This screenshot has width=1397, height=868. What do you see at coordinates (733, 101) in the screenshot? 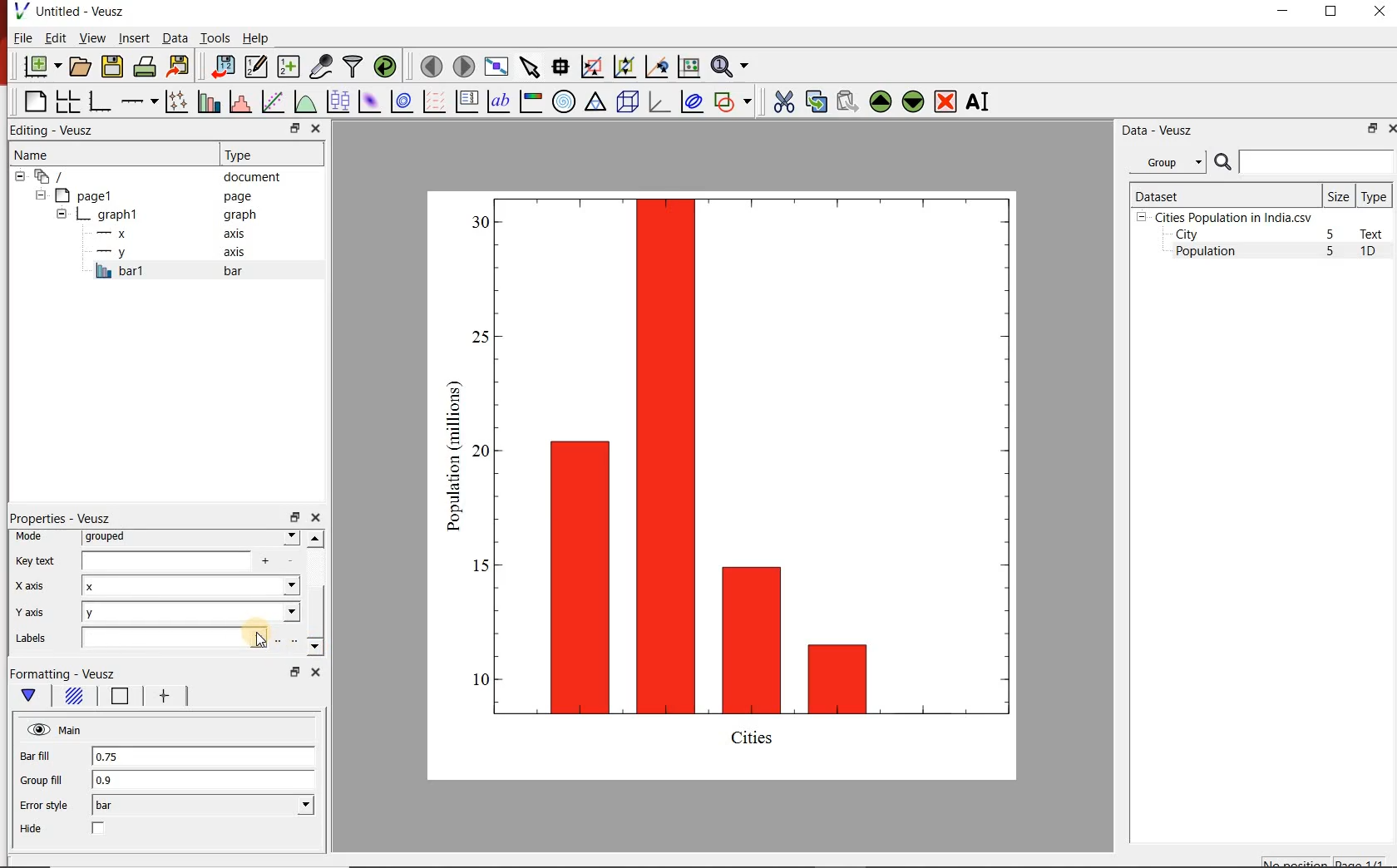
I see `add a shape to the plot` at bounding box center [733, 101].